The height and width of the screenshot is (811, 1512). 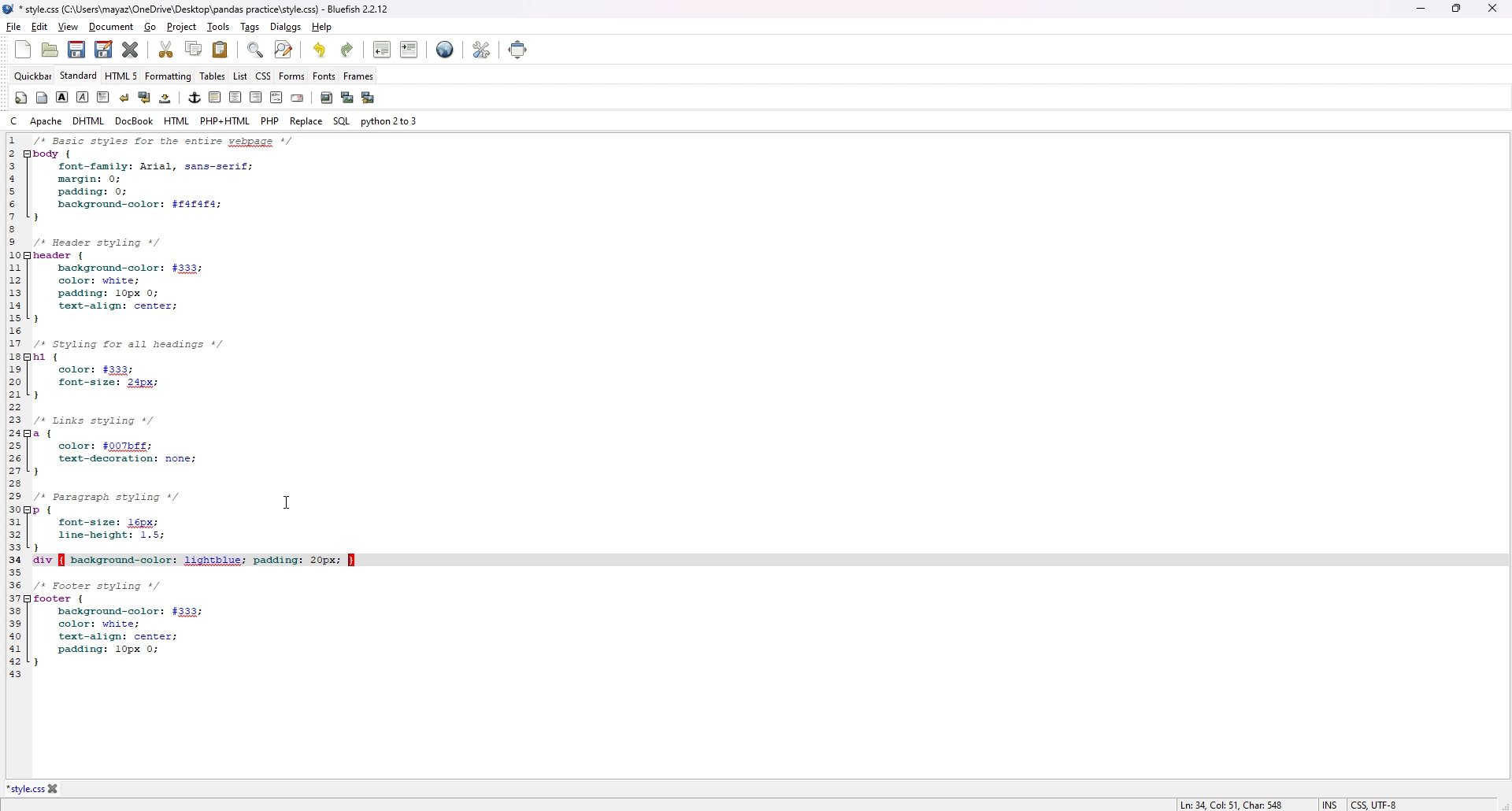 I want to click on insert thumbnail, so click(x=347, y=98).